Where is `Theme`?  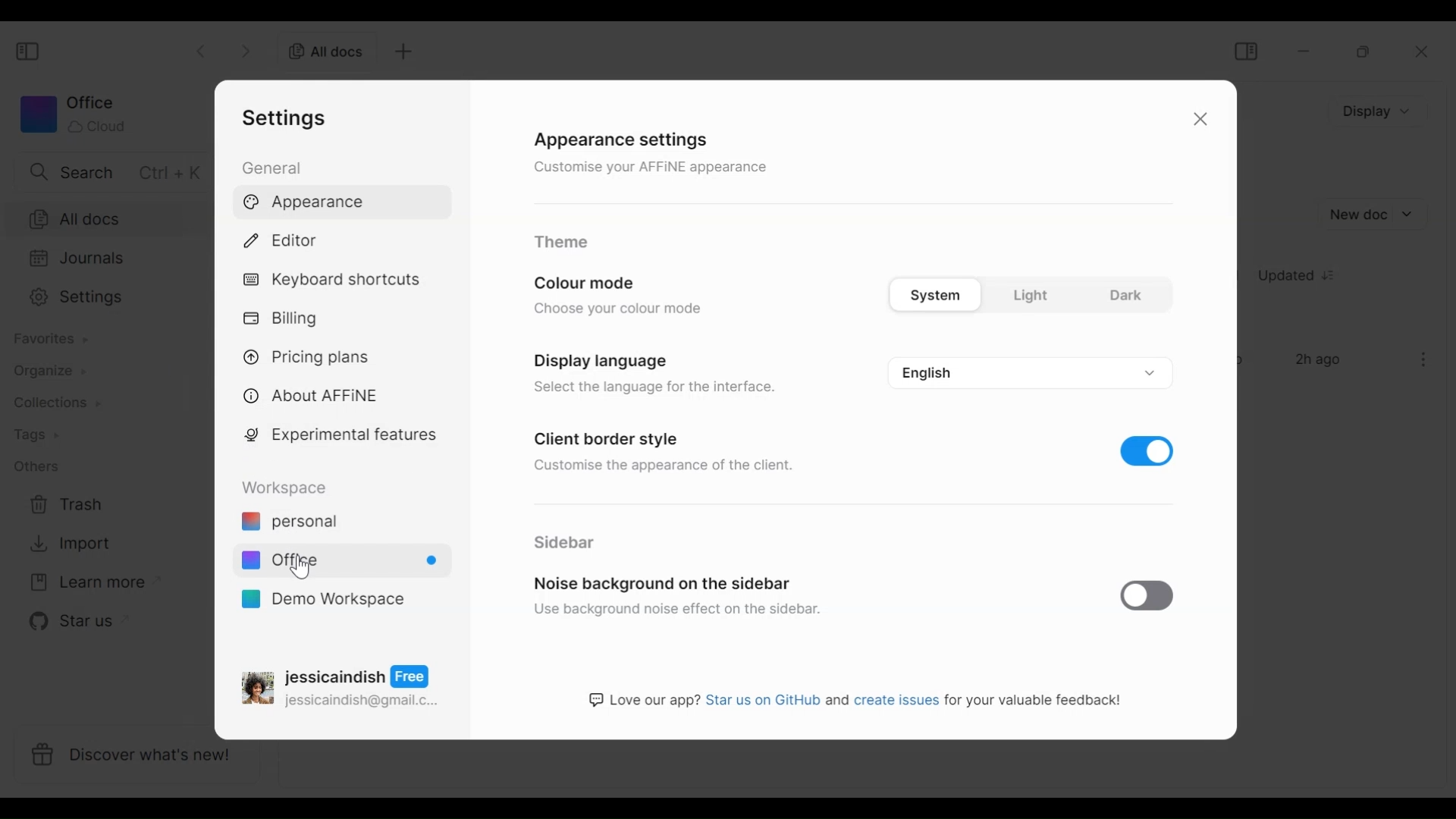 Theme is located at coordinates (563, 240).